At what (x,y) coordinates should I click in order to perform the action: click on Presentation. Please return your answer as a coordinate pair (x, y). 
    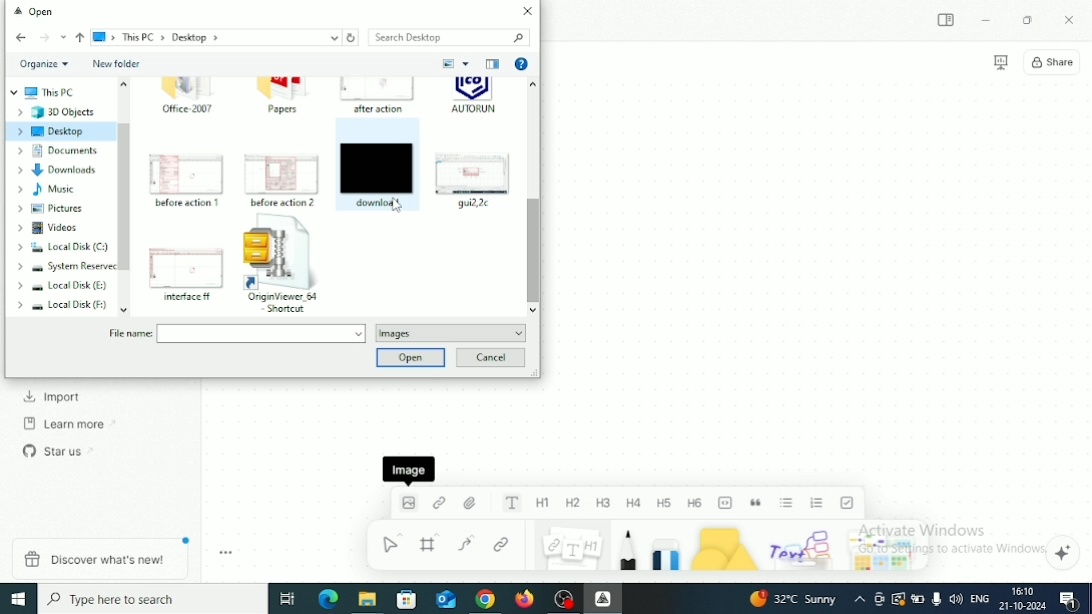
    Looking at the image, I should click on (1001, 63).